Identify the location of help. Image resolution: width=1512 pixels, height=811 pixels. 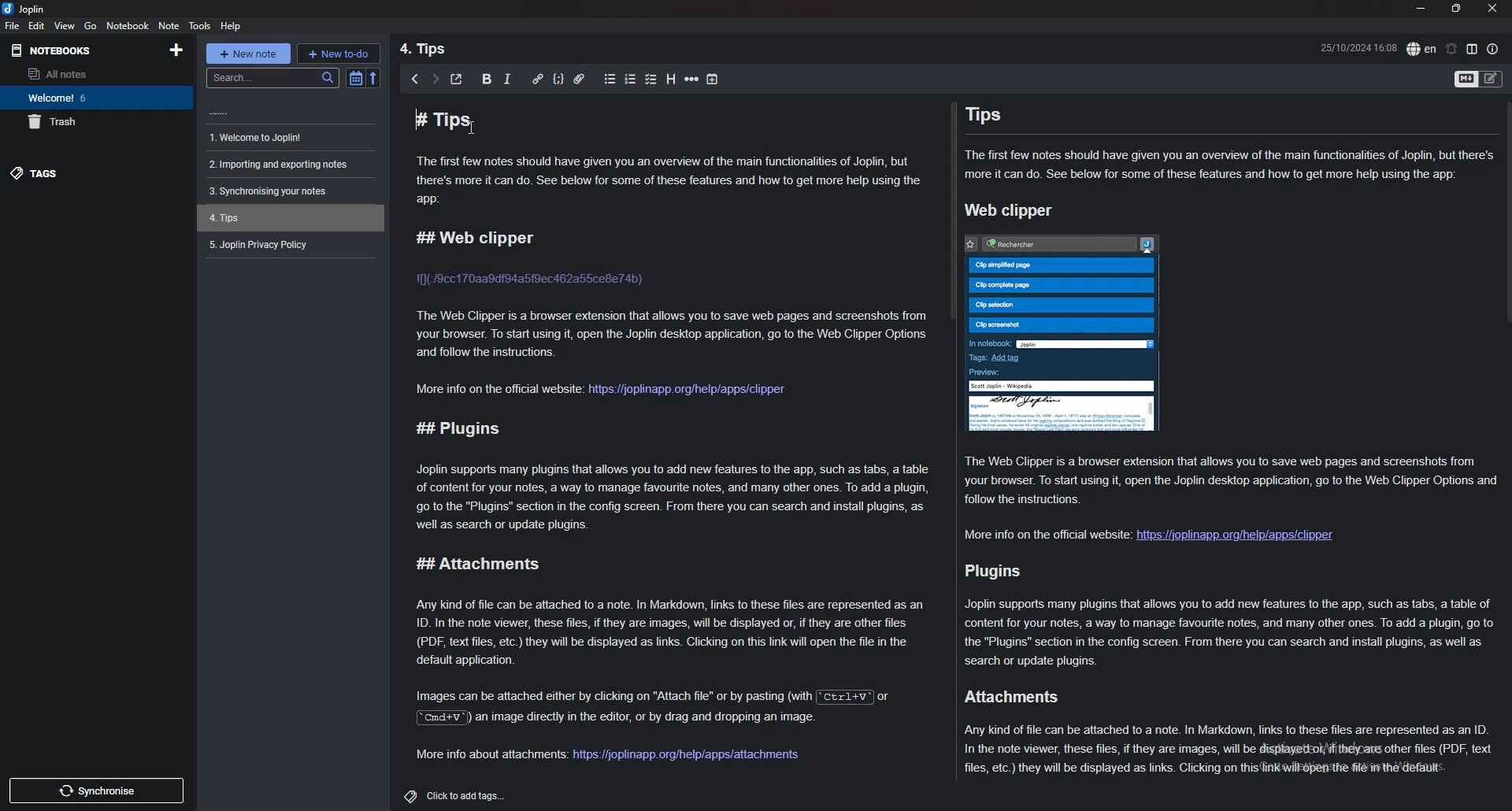
(233, 25).